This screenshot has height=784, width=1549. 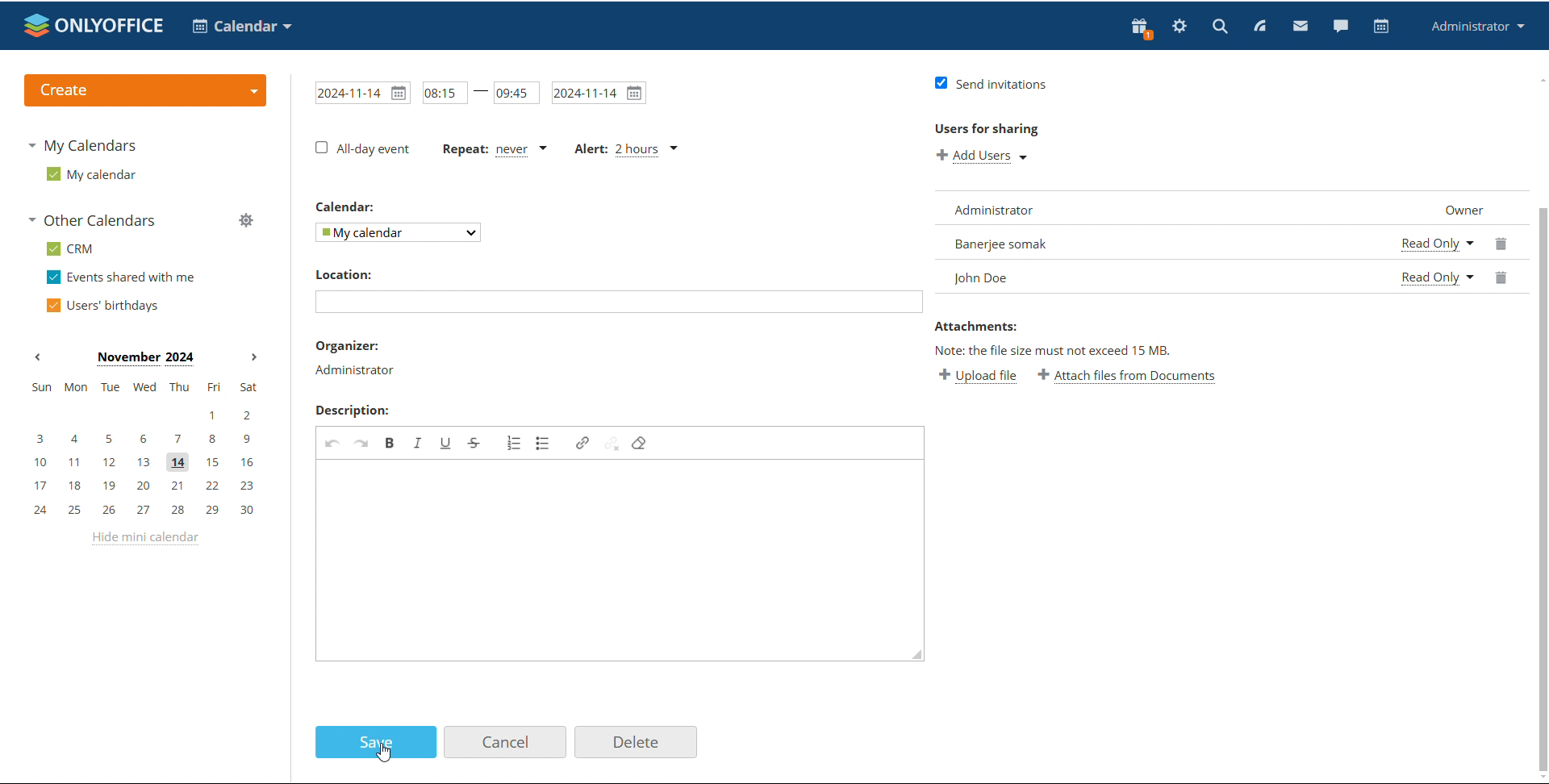 I want to click on Redo, so click(x=362, y=442).